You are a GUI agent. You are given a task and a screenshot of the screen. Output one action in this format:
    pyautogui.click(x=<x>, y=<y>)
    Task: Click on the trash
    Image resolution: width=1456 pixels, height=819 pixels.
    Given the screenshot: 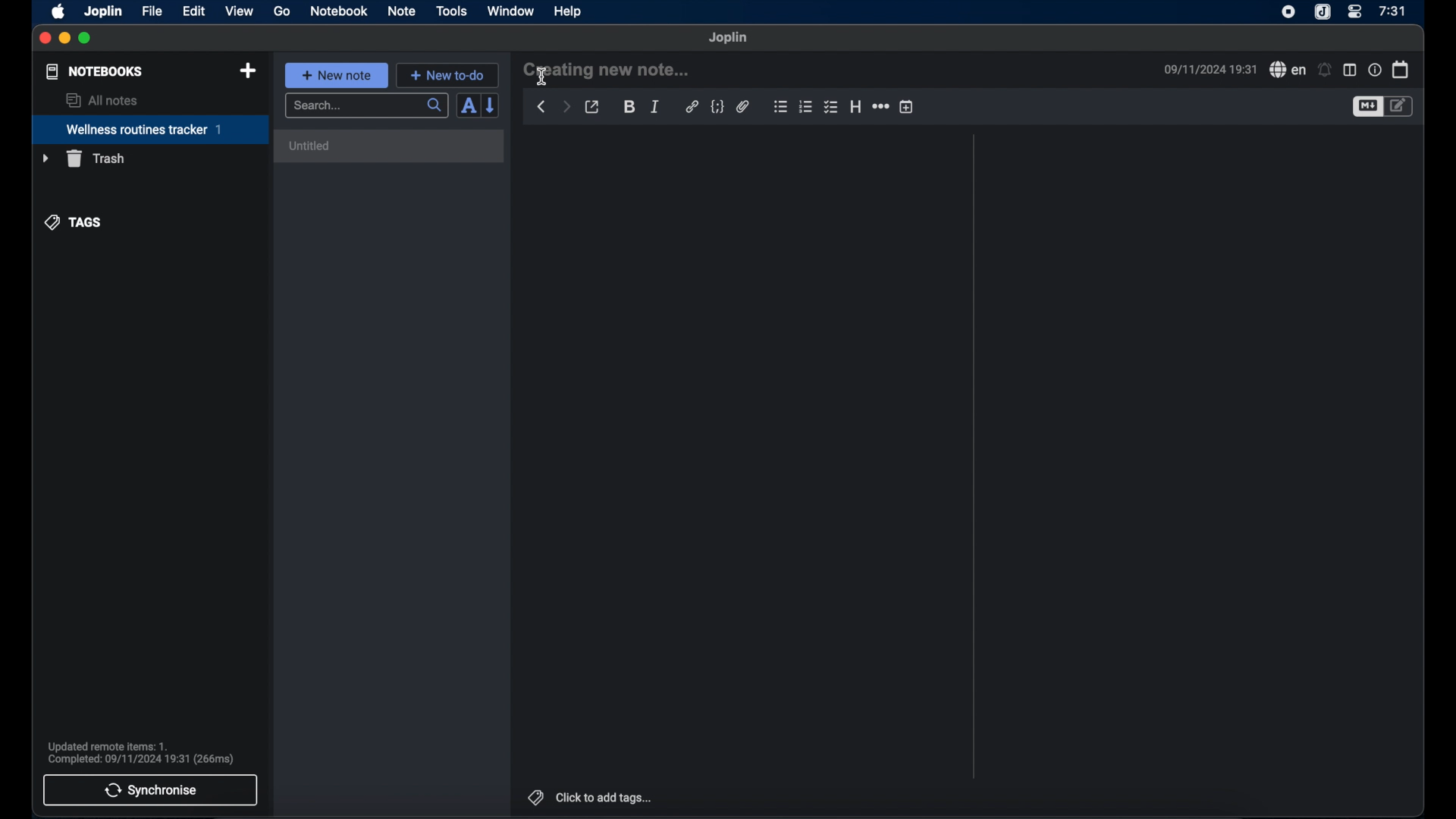 What is the action you would take?
    pyautogui.click(x=83, y=158)
    